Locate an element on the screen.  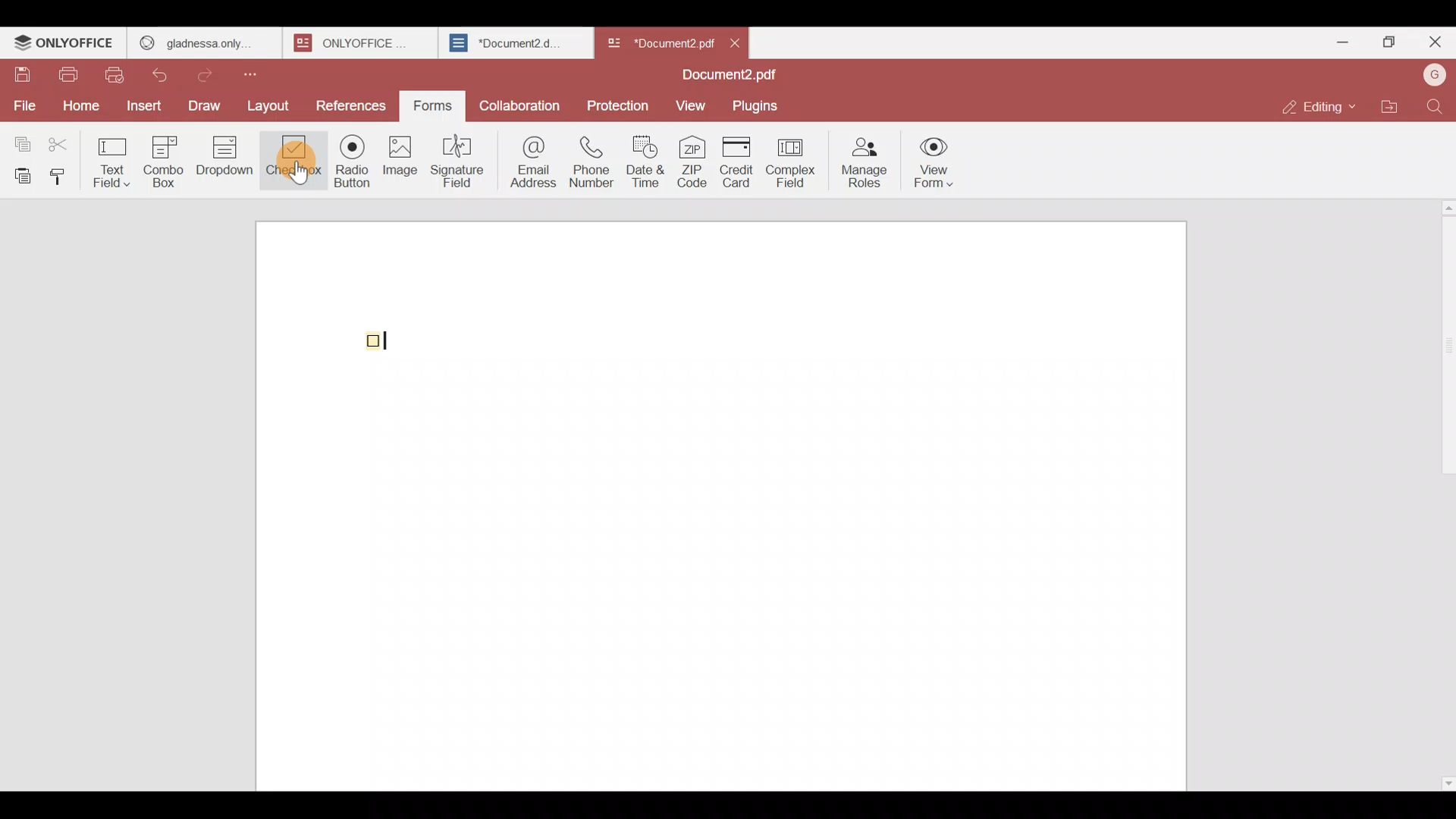
Manage roles is located at coordinates (864, 158).